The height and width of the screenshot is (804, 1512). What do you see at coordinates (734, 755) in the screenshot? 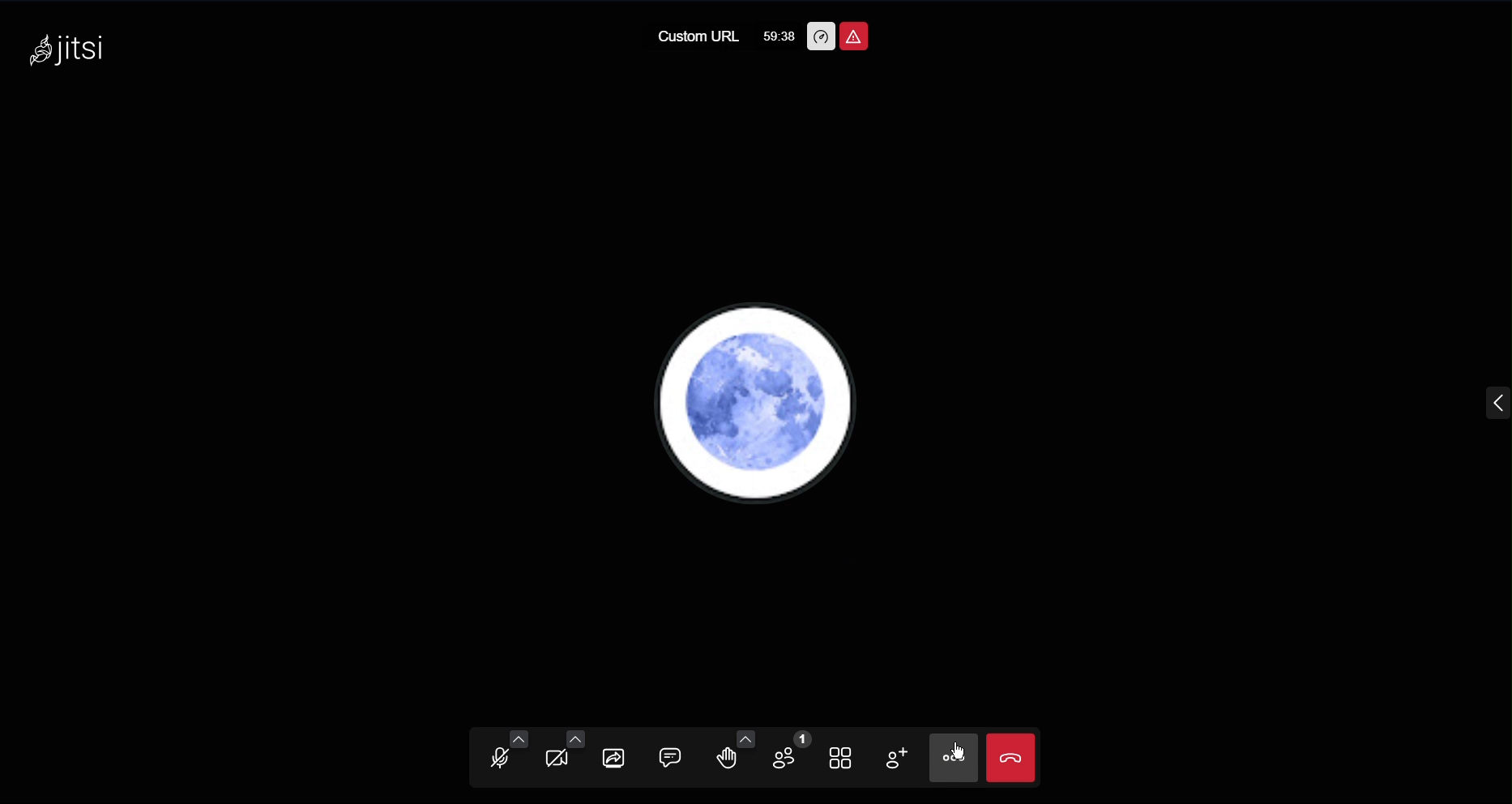
I see `Raise Hand` at bounding box center [734, 755].